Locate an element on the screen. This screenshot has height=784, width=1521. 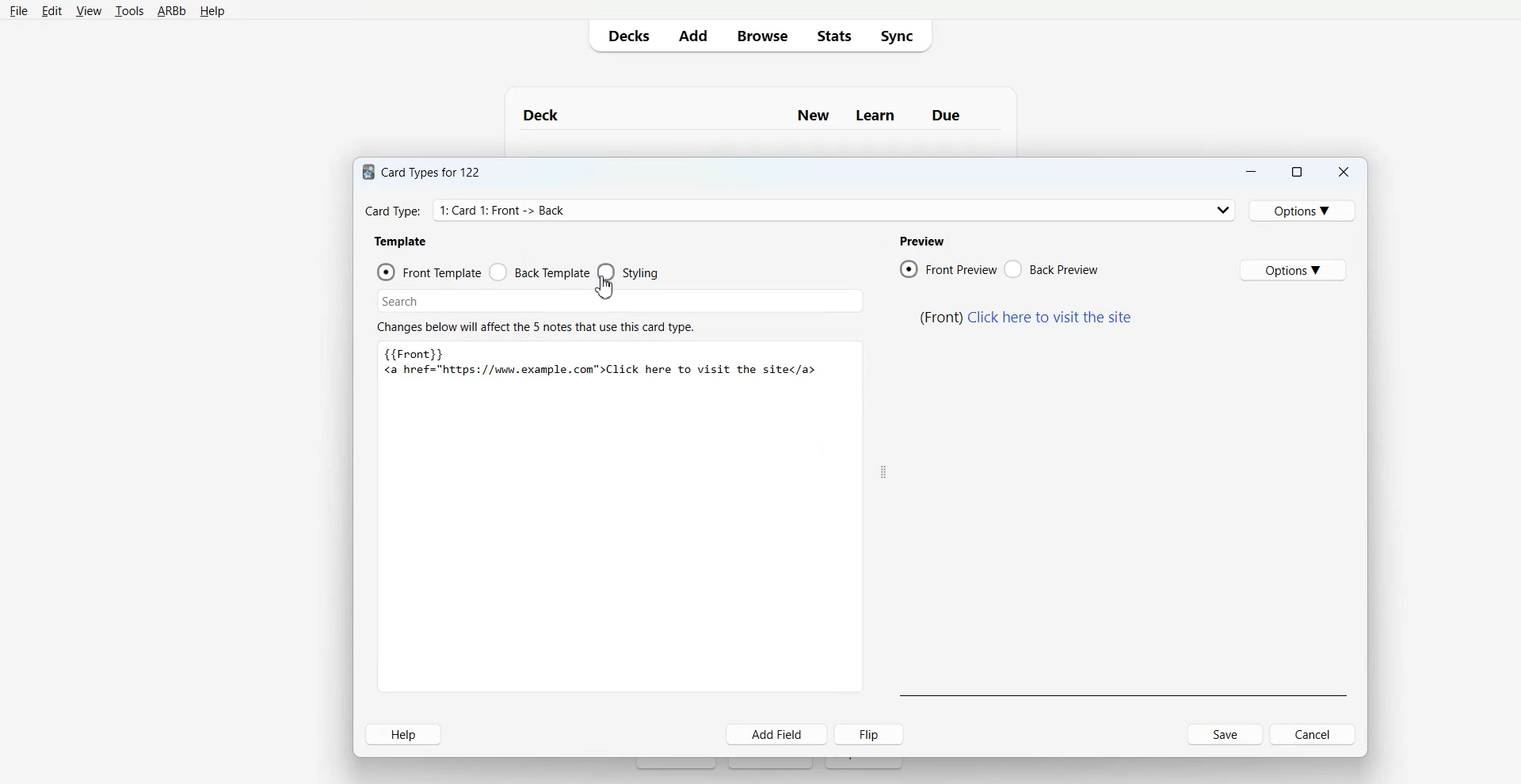
Search Bar is located at coordinates (620, 299).